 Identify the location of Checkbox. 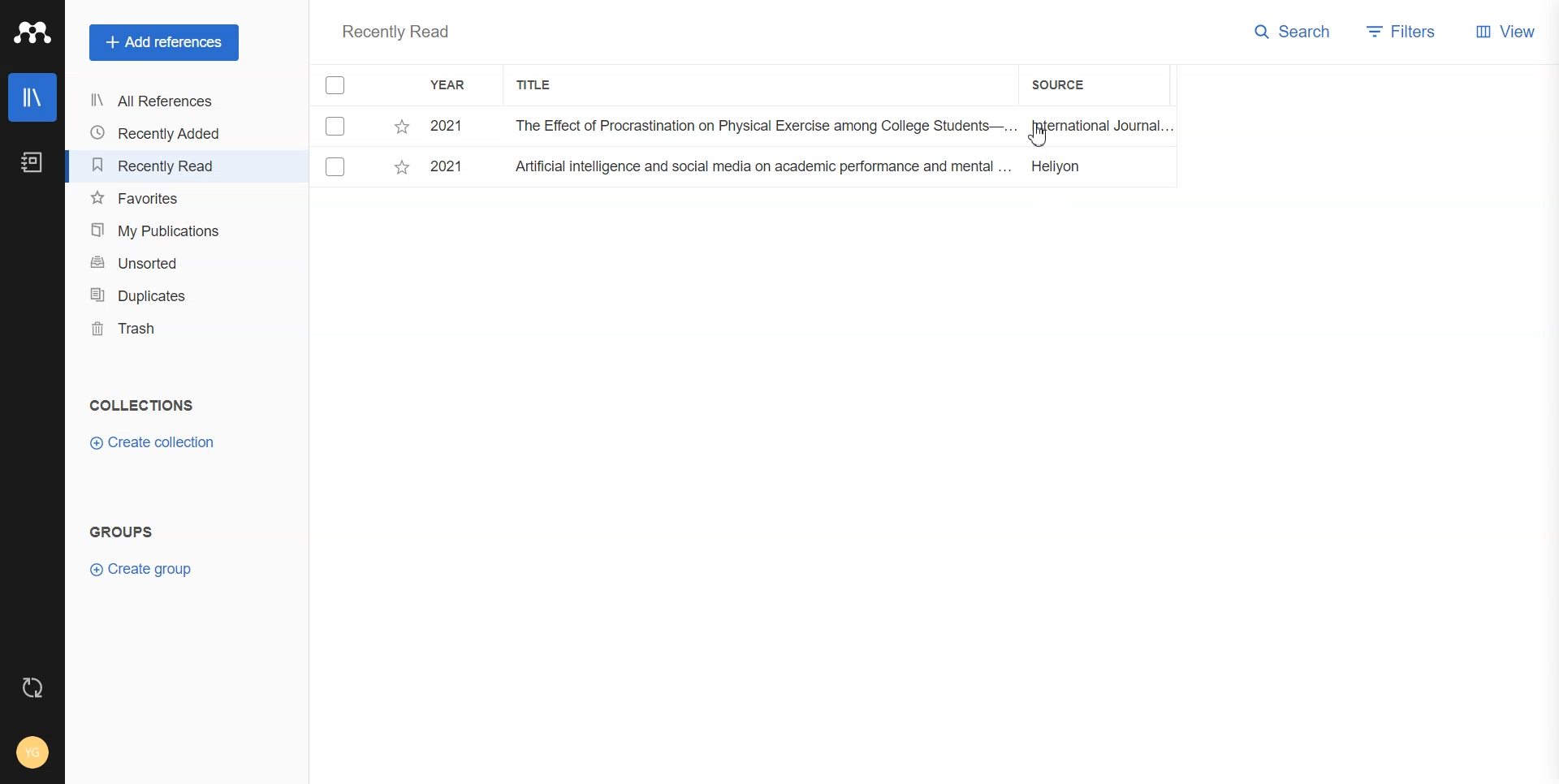
(339, 125).